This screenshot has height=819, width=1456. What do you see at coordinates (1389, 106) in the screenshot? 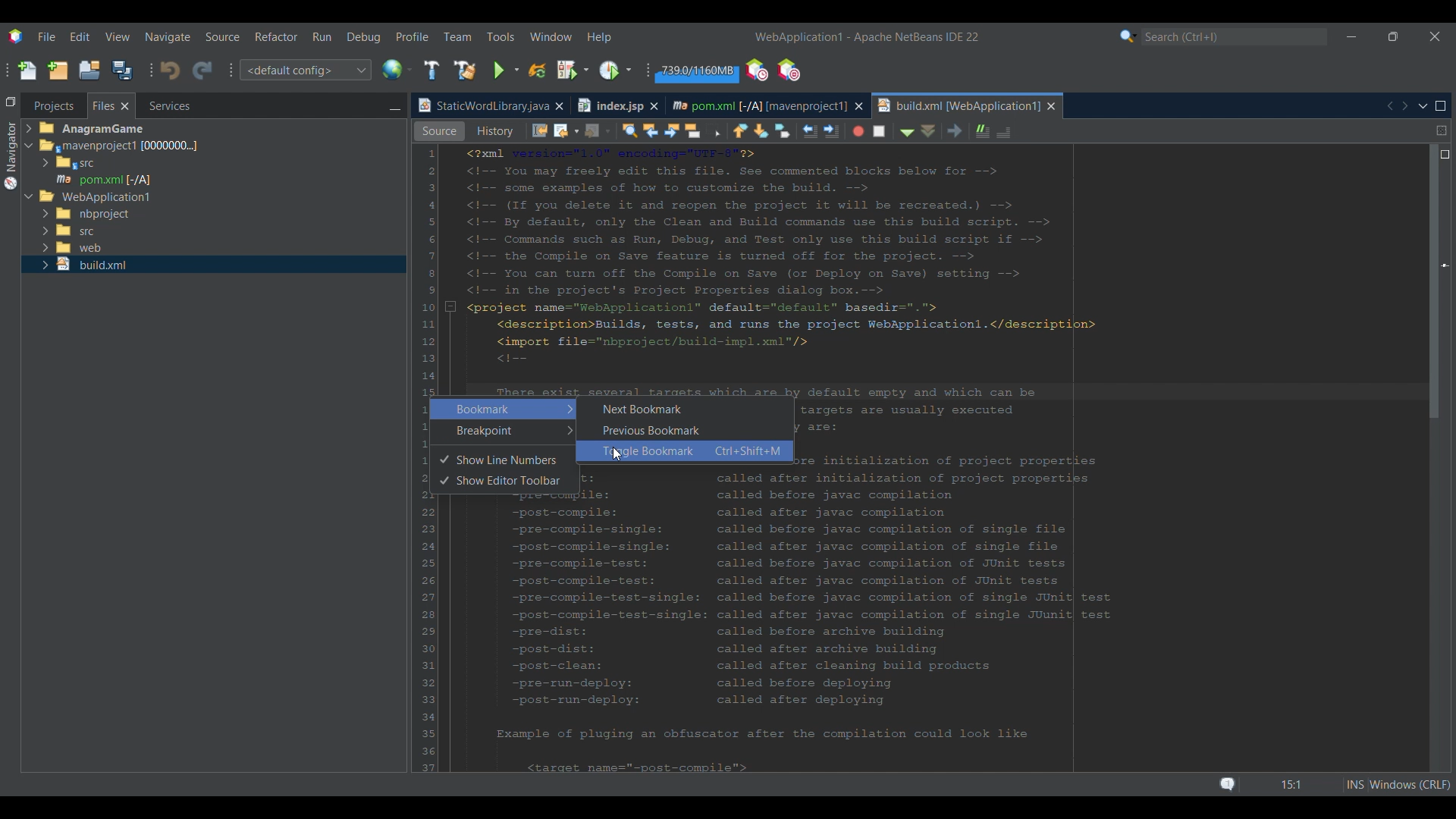
I see `Previous` at bounding box center [1389, 106].